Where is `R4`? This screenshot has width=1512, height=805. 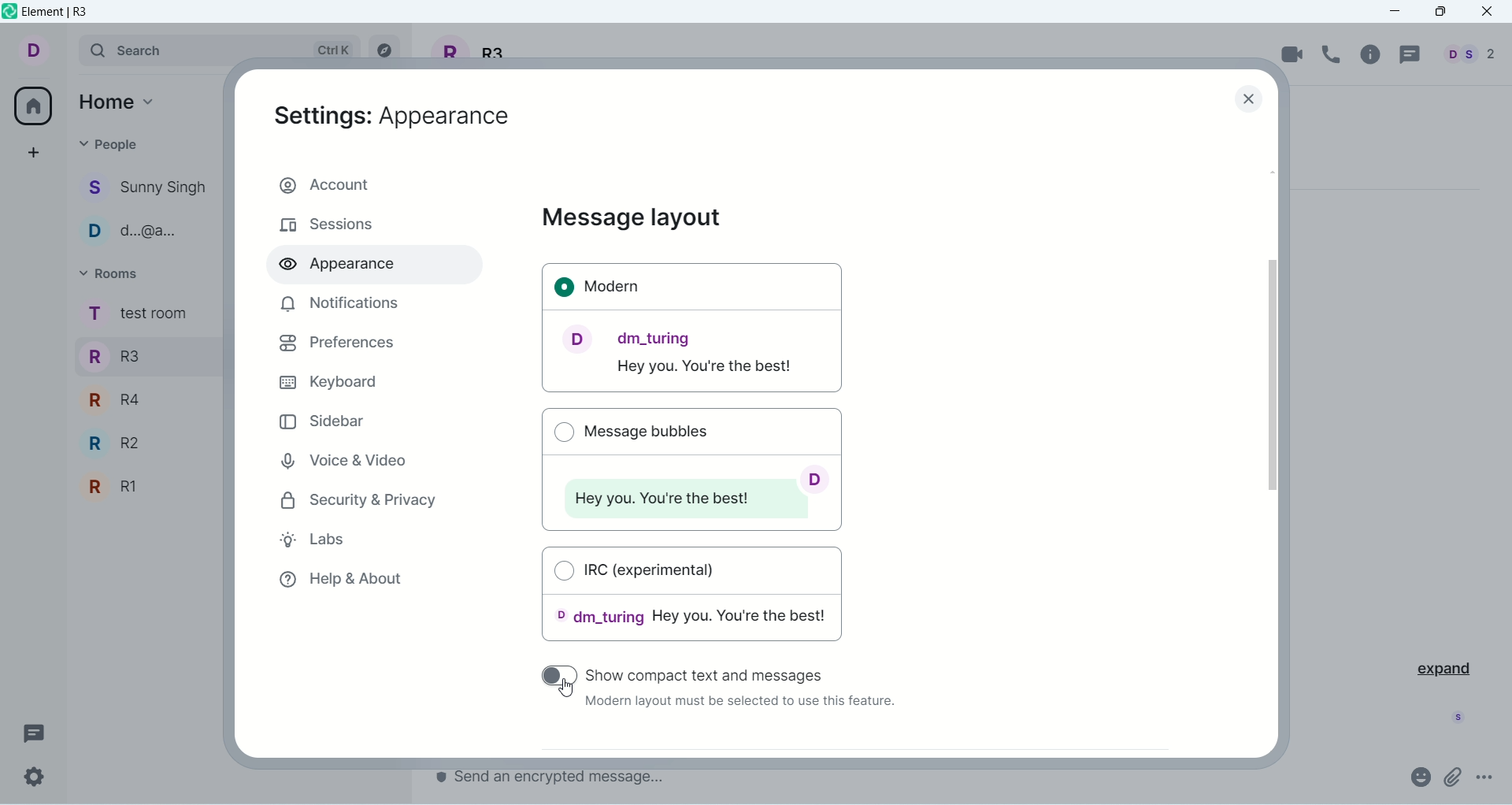
R4 is located at coordinates (144, 398).